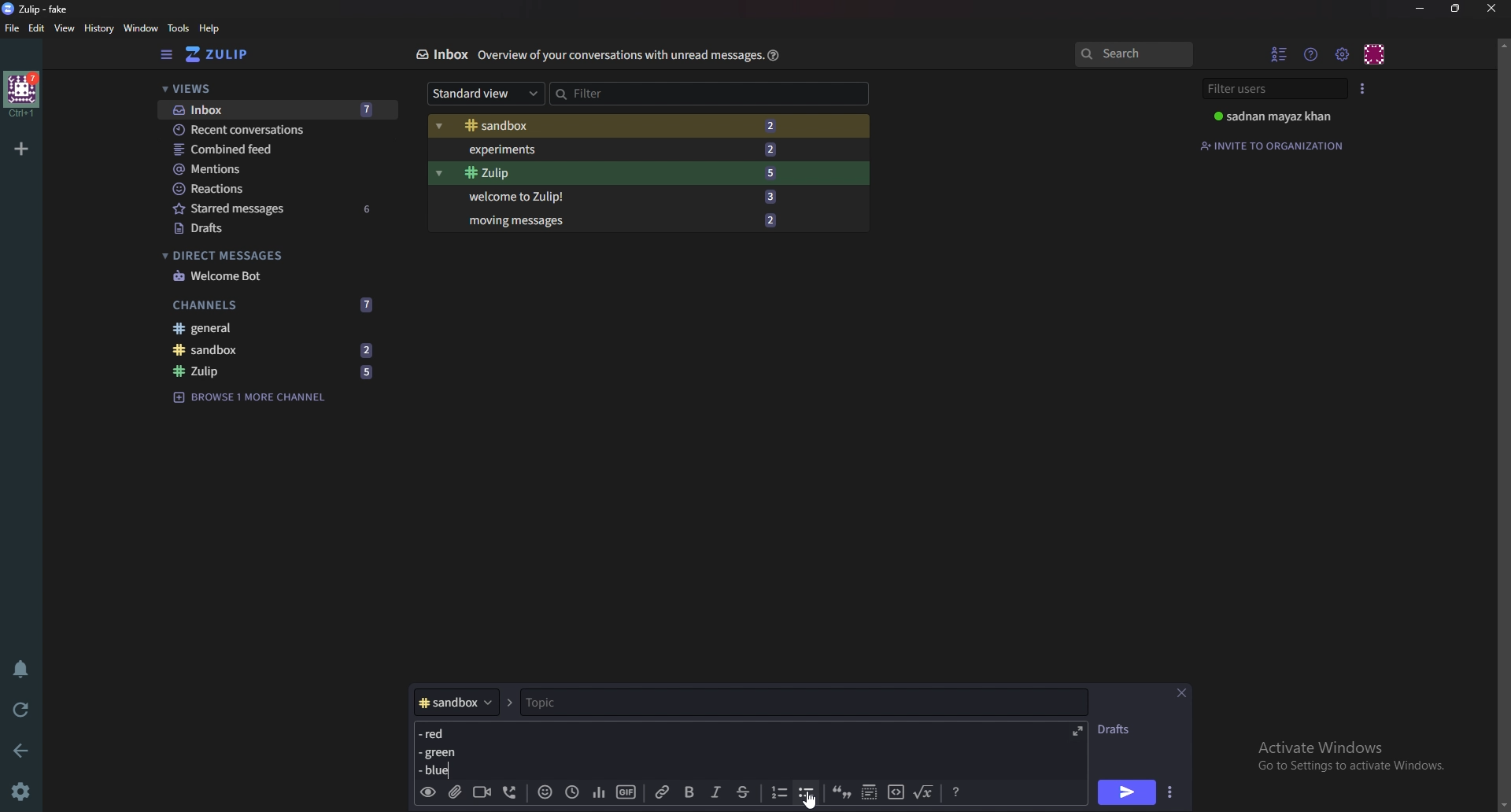 Image resolution: width=1511 pixels, height=812 pixels. I want to click on Help menu, so click(1312, 54).